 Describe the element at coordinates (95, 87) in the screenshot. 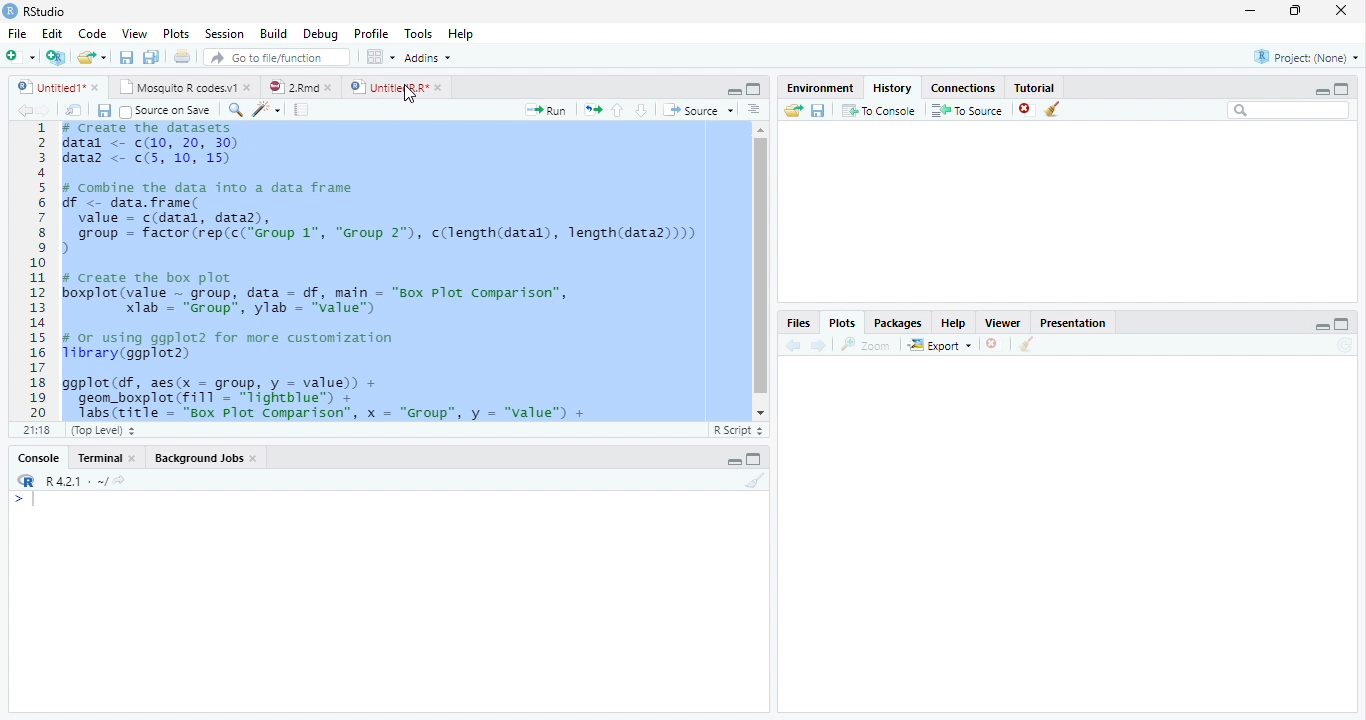

I see `close` at that location.